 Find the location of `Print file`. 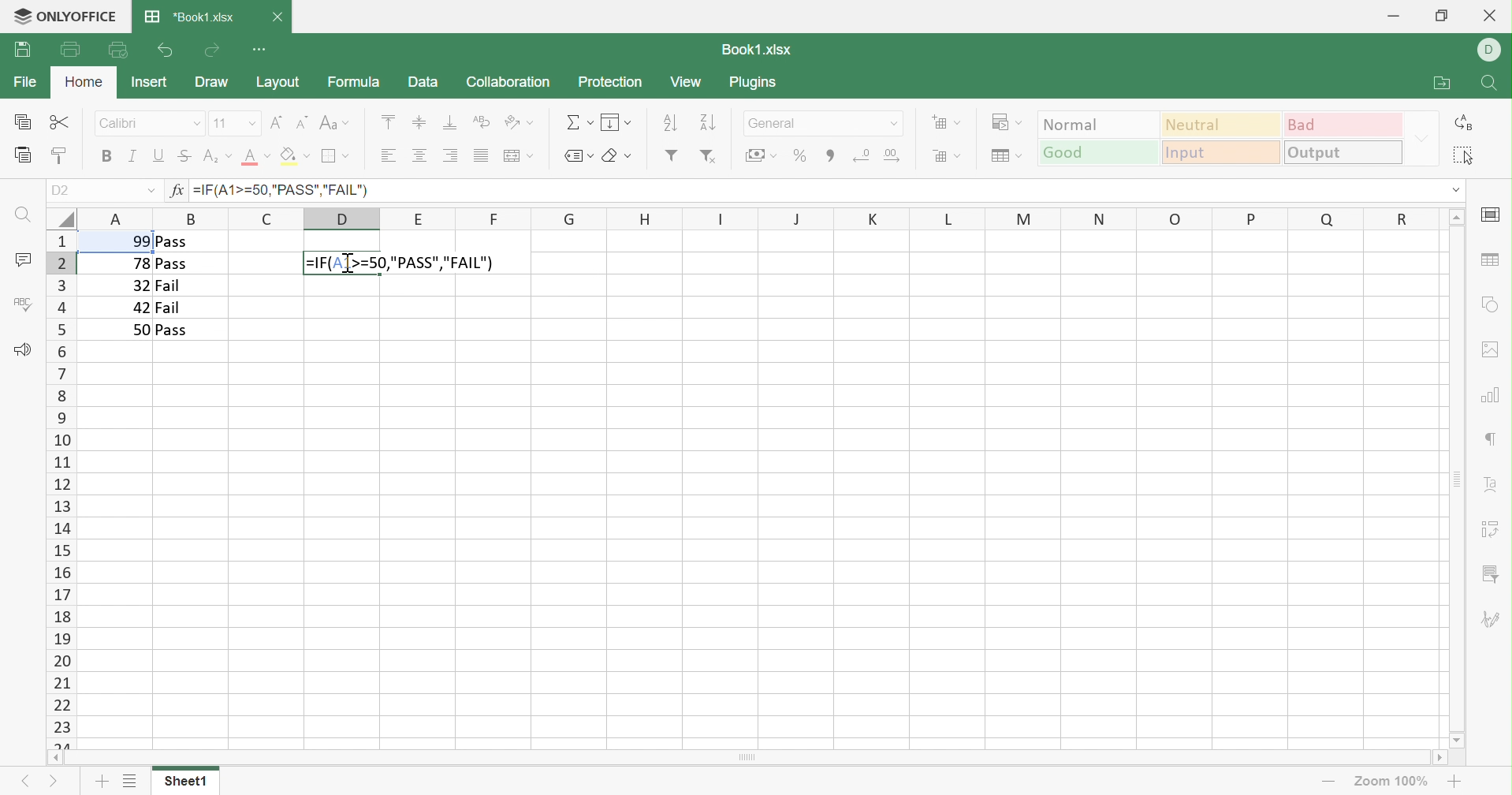

Print file is located at coordinates (70, 49).